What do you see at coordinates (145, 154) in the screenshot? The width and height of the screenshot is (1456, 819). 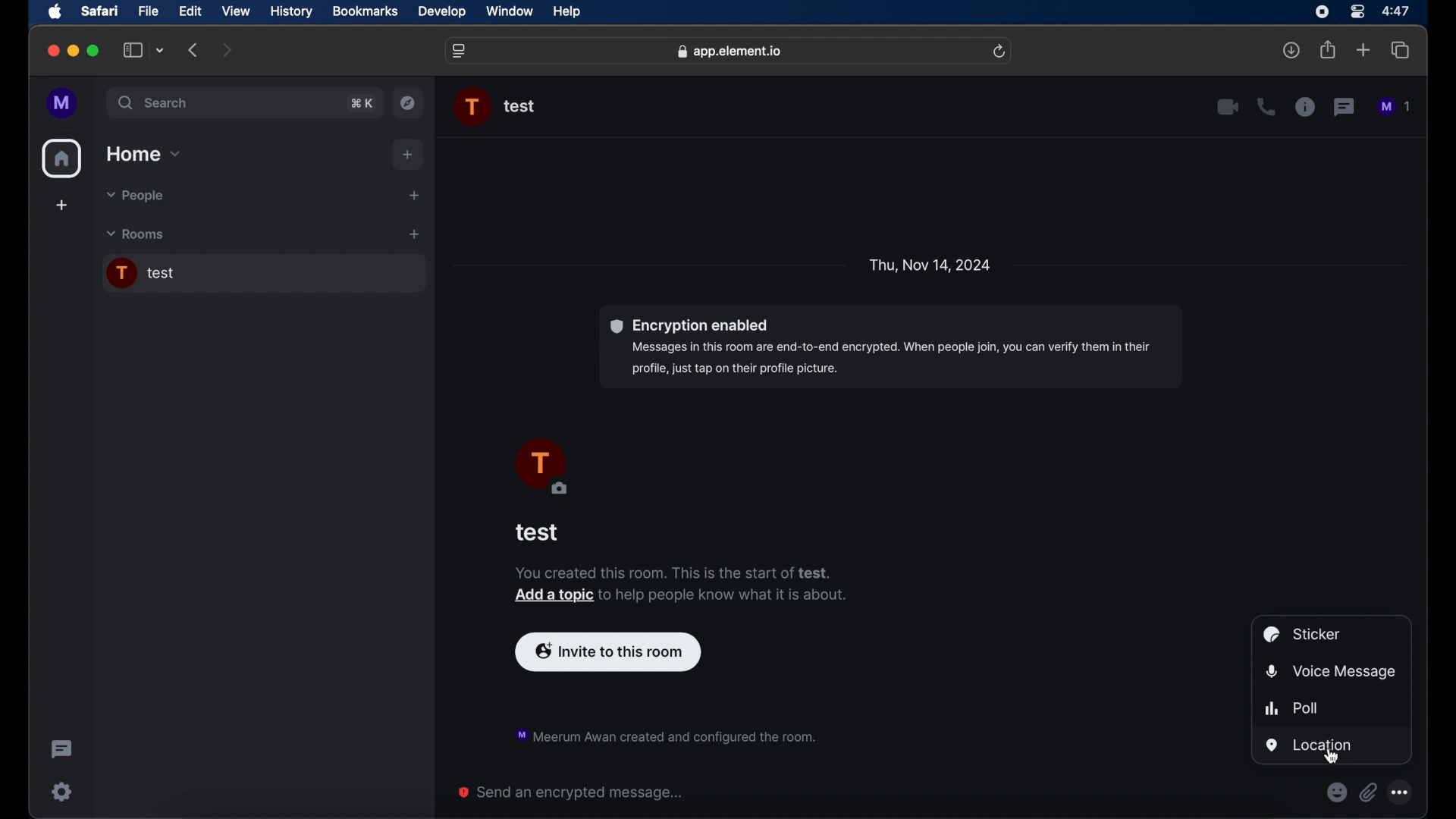 I see `home dropdown` at bounding box center [145, 154].